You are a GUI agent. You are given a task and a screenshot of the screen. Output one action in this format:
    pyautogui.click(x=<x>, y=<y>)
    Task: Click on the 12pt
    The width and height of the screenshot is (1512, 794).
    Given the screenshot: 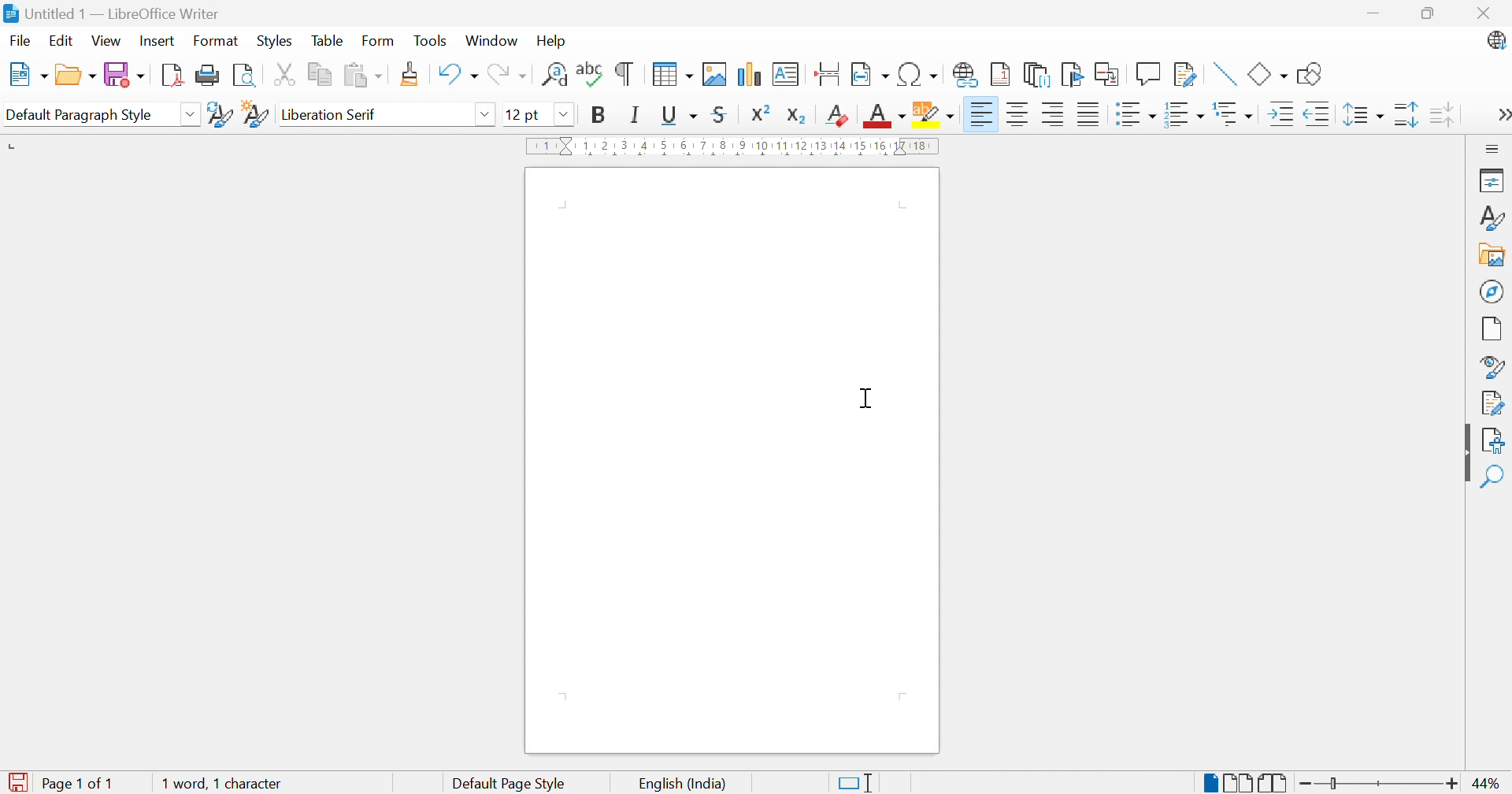 What is the action you would take?
    pyautogui.click(x=521, y=114)
    